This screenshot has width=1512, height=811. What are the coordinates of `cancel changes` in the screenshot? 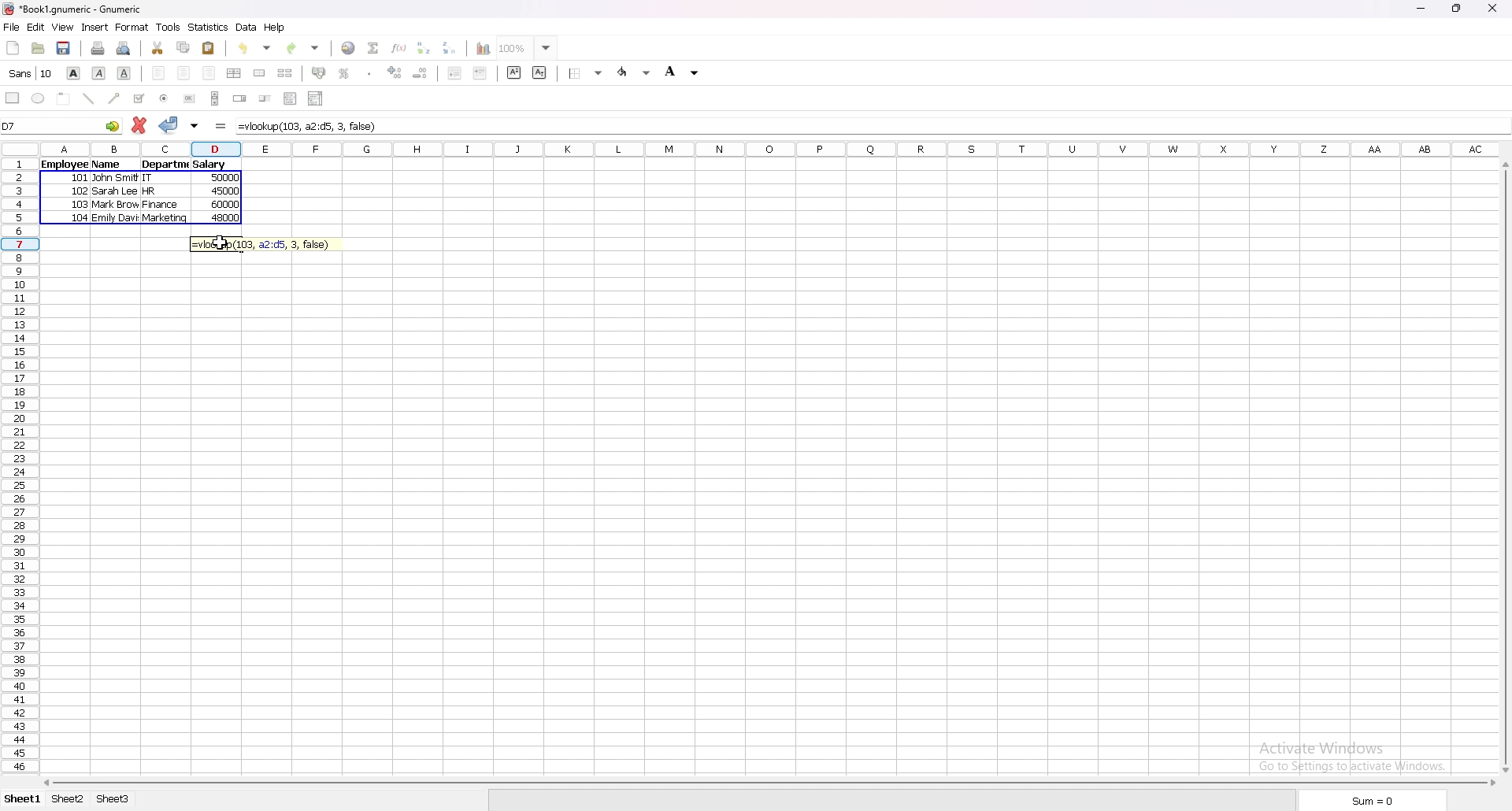 It's located at (139, 125).